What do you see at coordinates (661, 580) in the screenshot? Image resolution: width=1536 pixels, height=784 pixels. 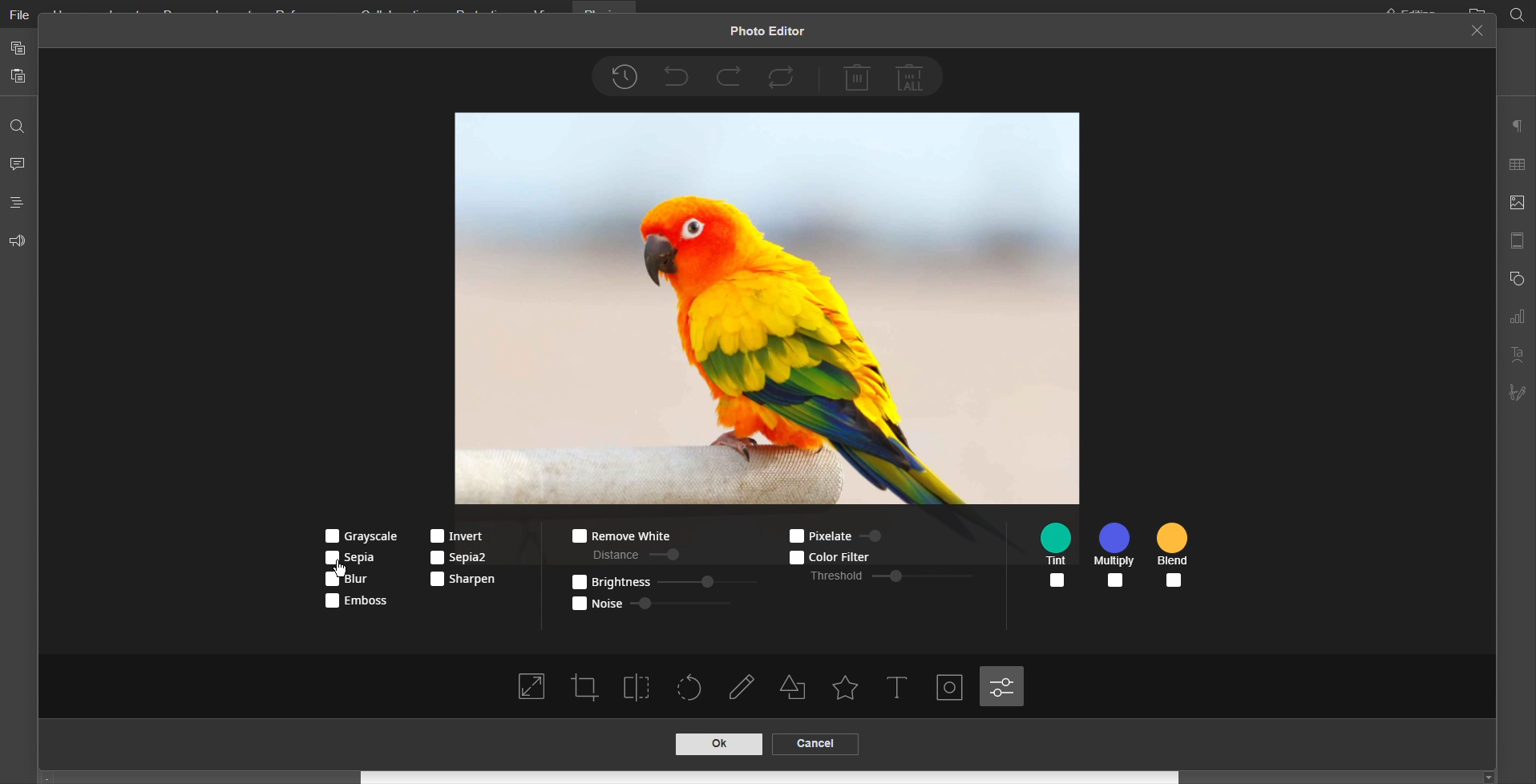 I see `Brightness` at bounding box center [661, 580].